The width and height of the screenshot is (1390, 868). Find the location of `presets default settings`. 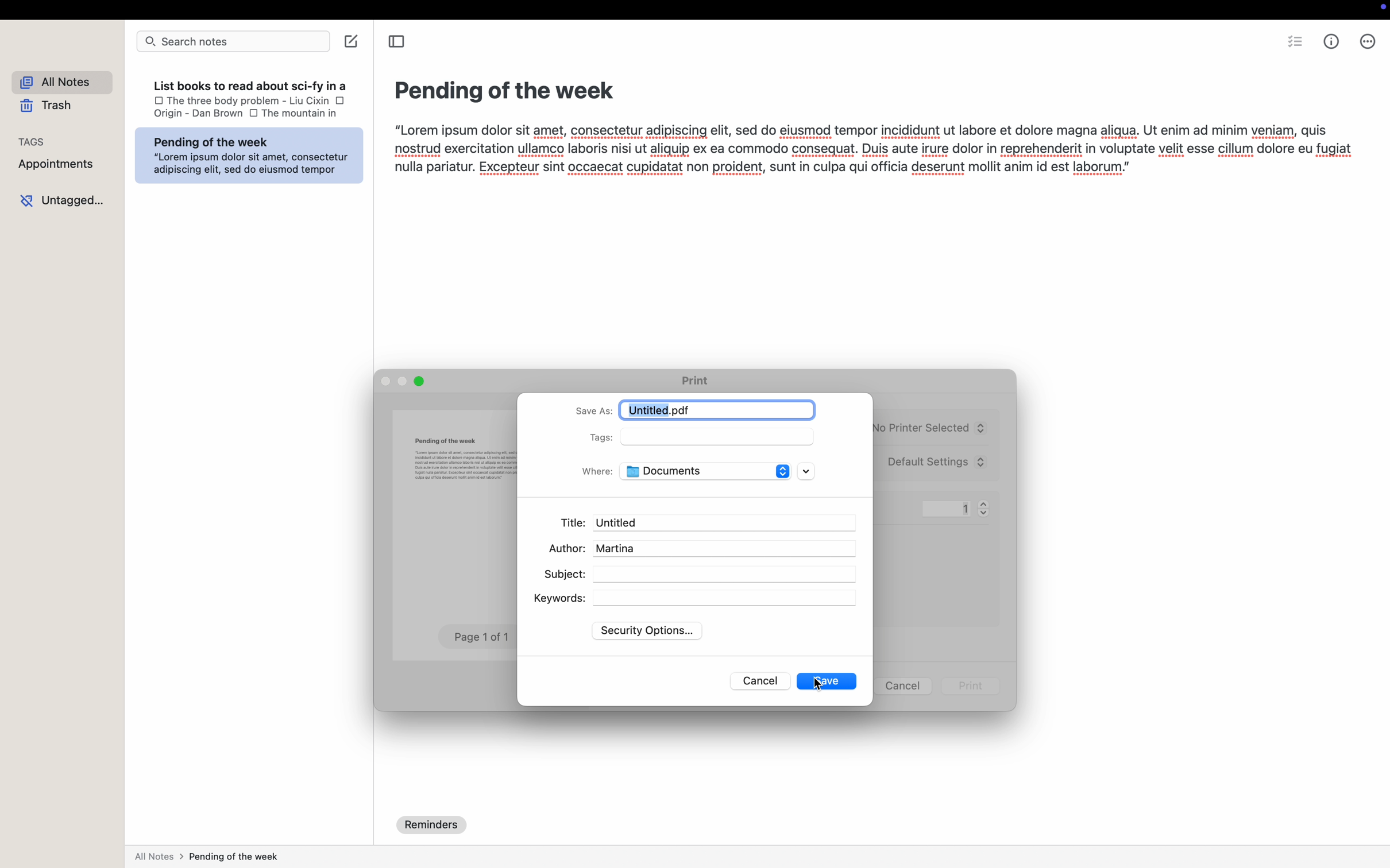

presets default settings is located at coordinates (936, 463).